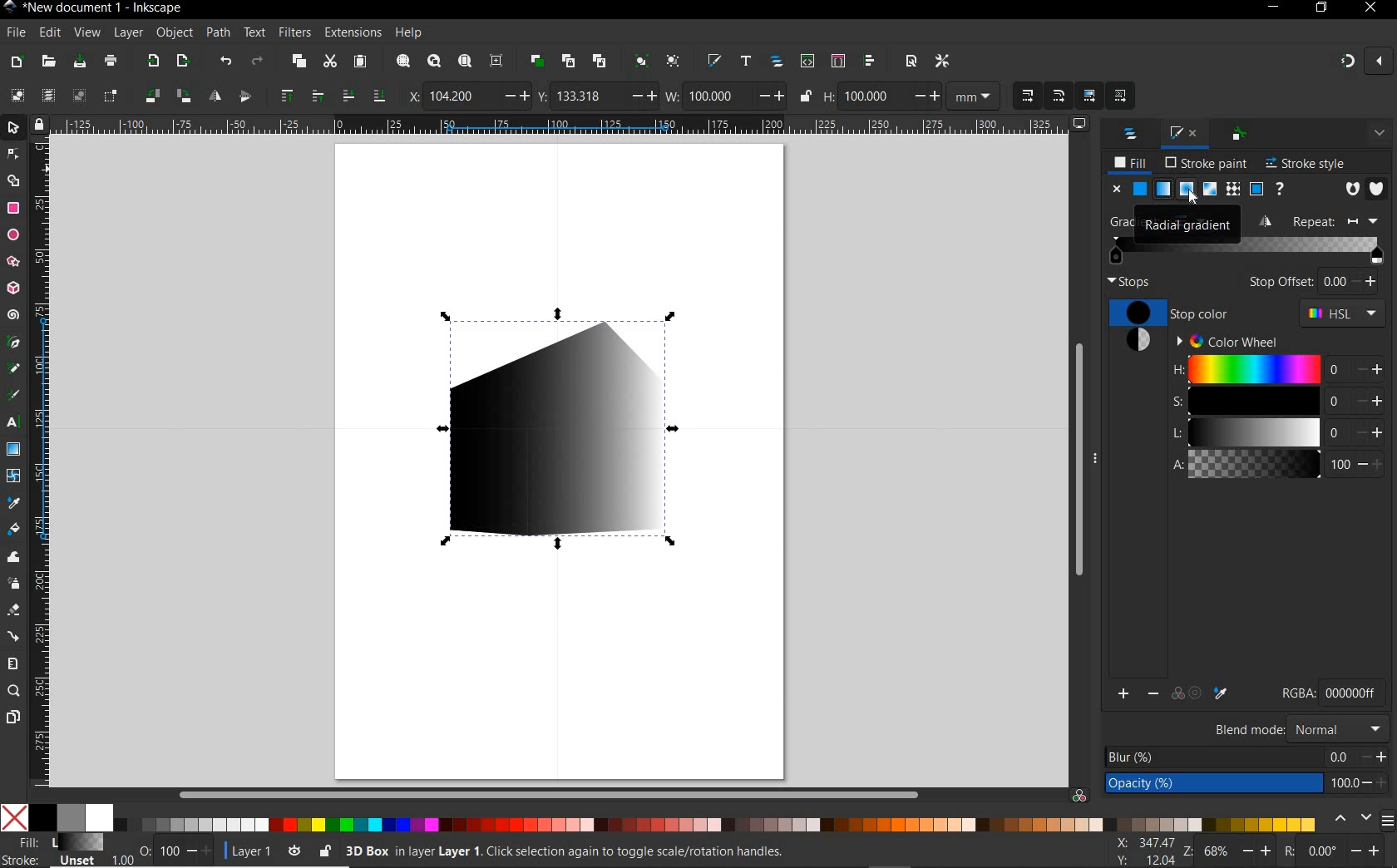  I want to click on selection bar, so click(1317, 251).